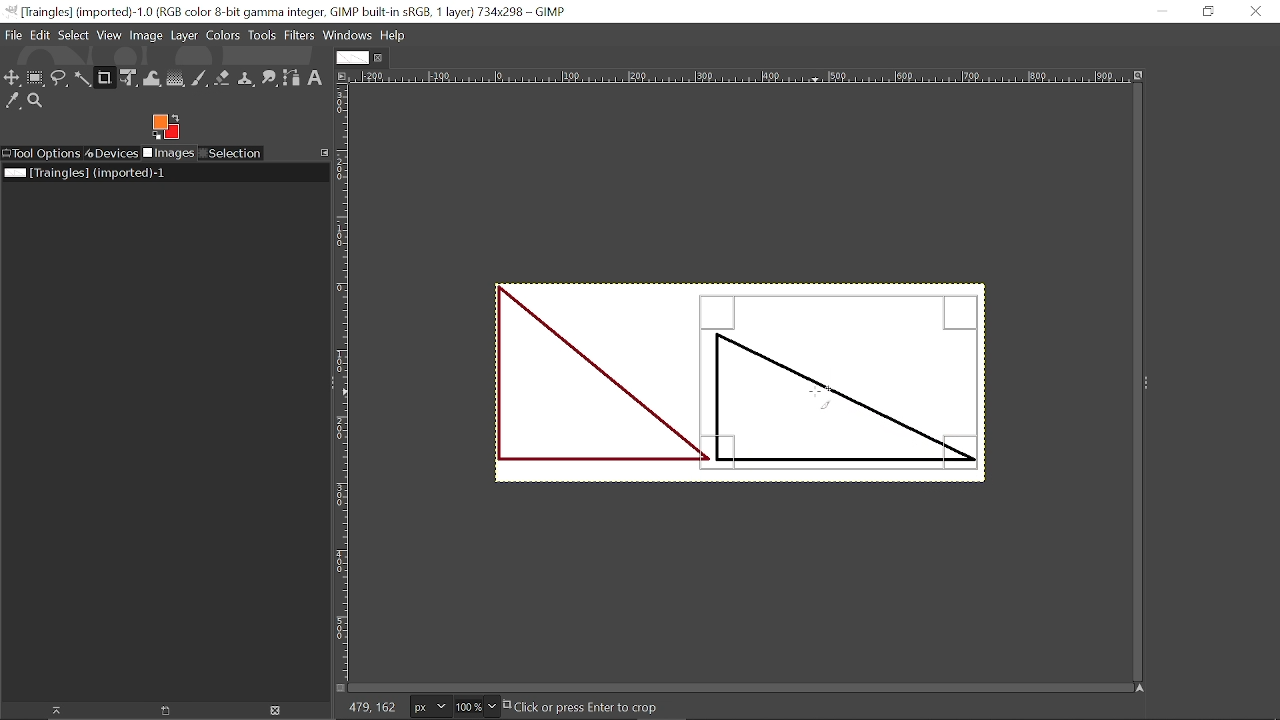 The image size is (1280, 720). What do you see at coordinates (823, 397) in the screenshot?
I see `cursor` at bounding box center [823, 397].